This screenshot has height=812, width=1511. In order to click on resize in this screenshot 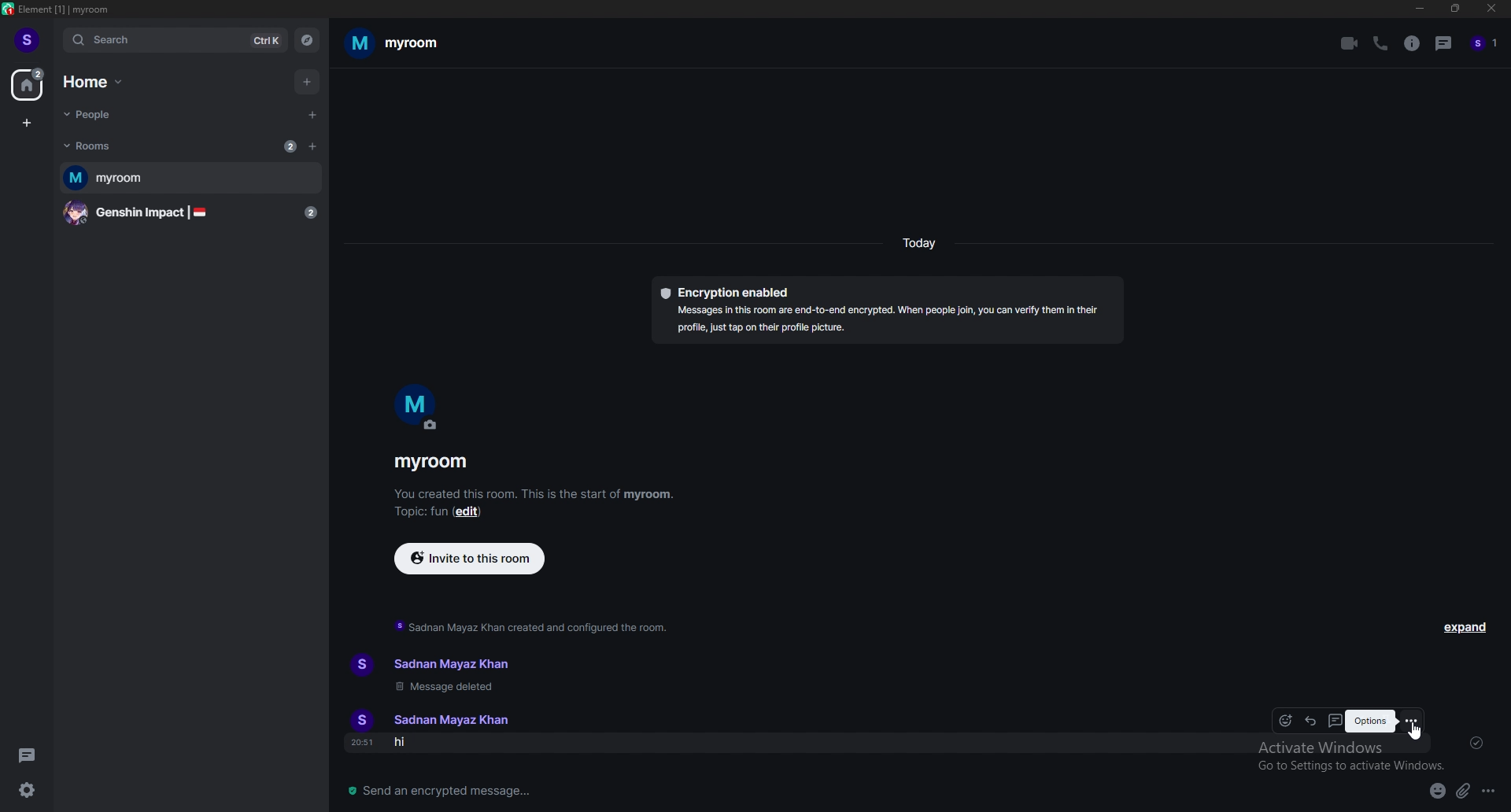, I will do `click(1454, 8)`.